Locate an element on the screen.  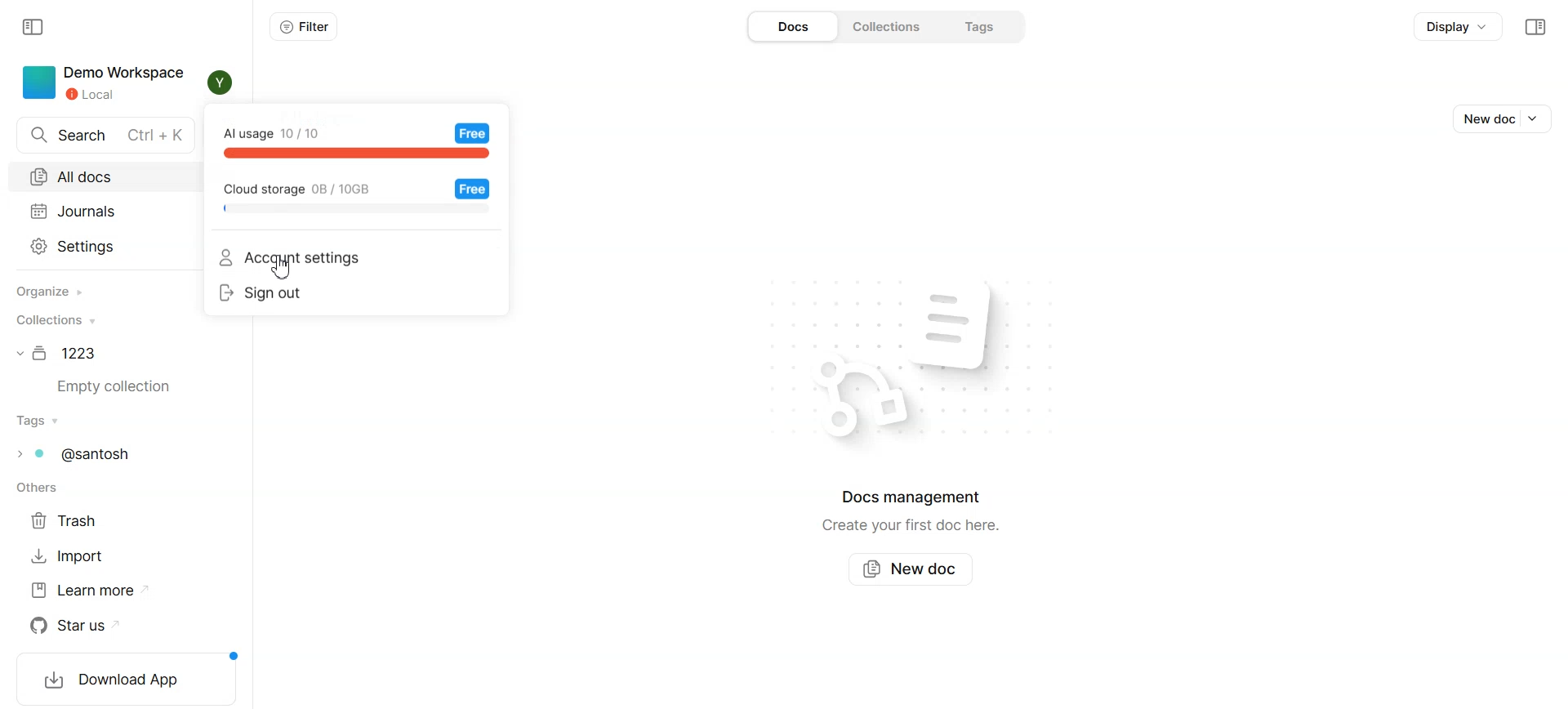
Download App is located at coordinates (122, 679).